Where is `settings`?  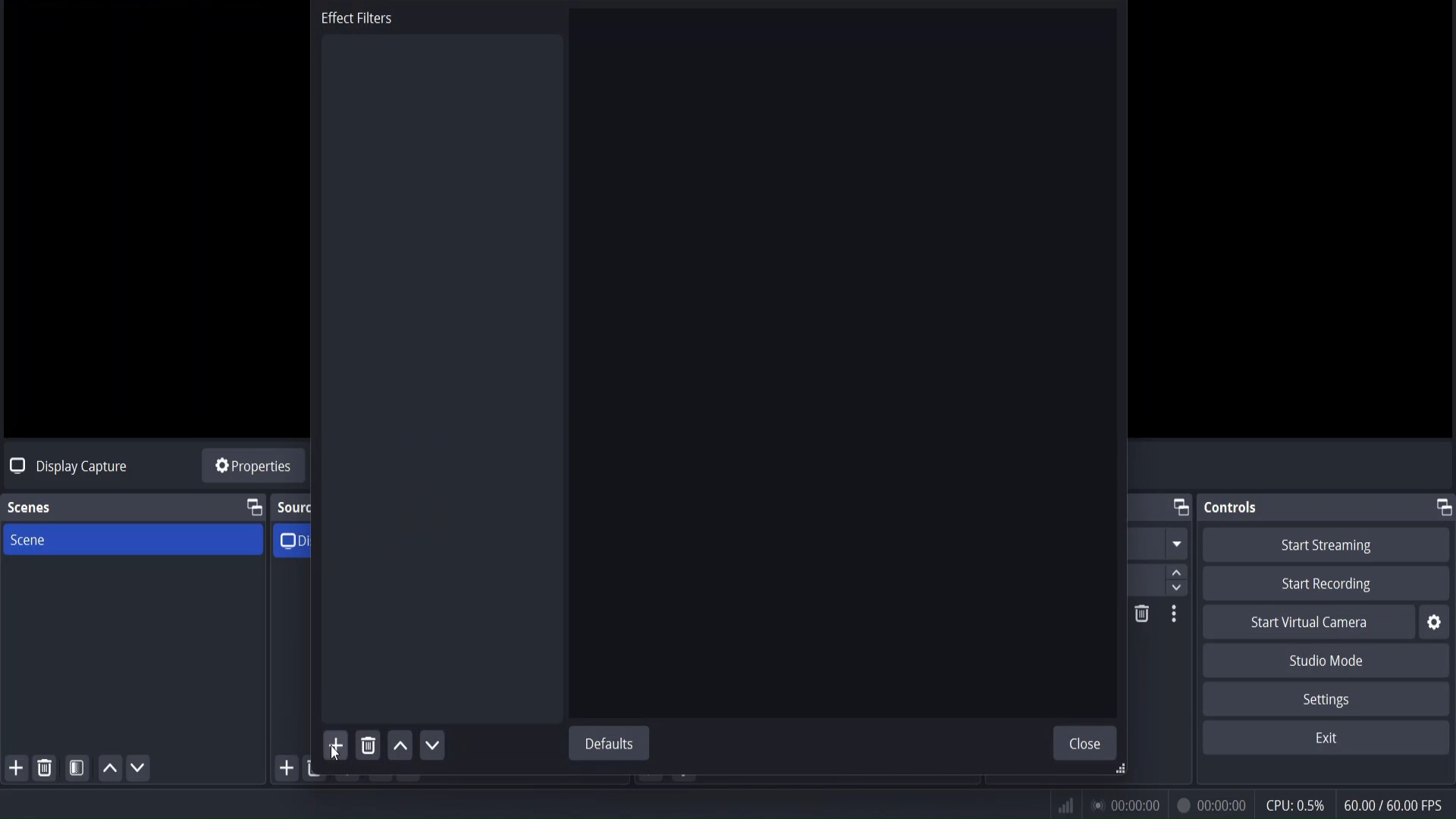 settings is located at coordinates (1434, 623).